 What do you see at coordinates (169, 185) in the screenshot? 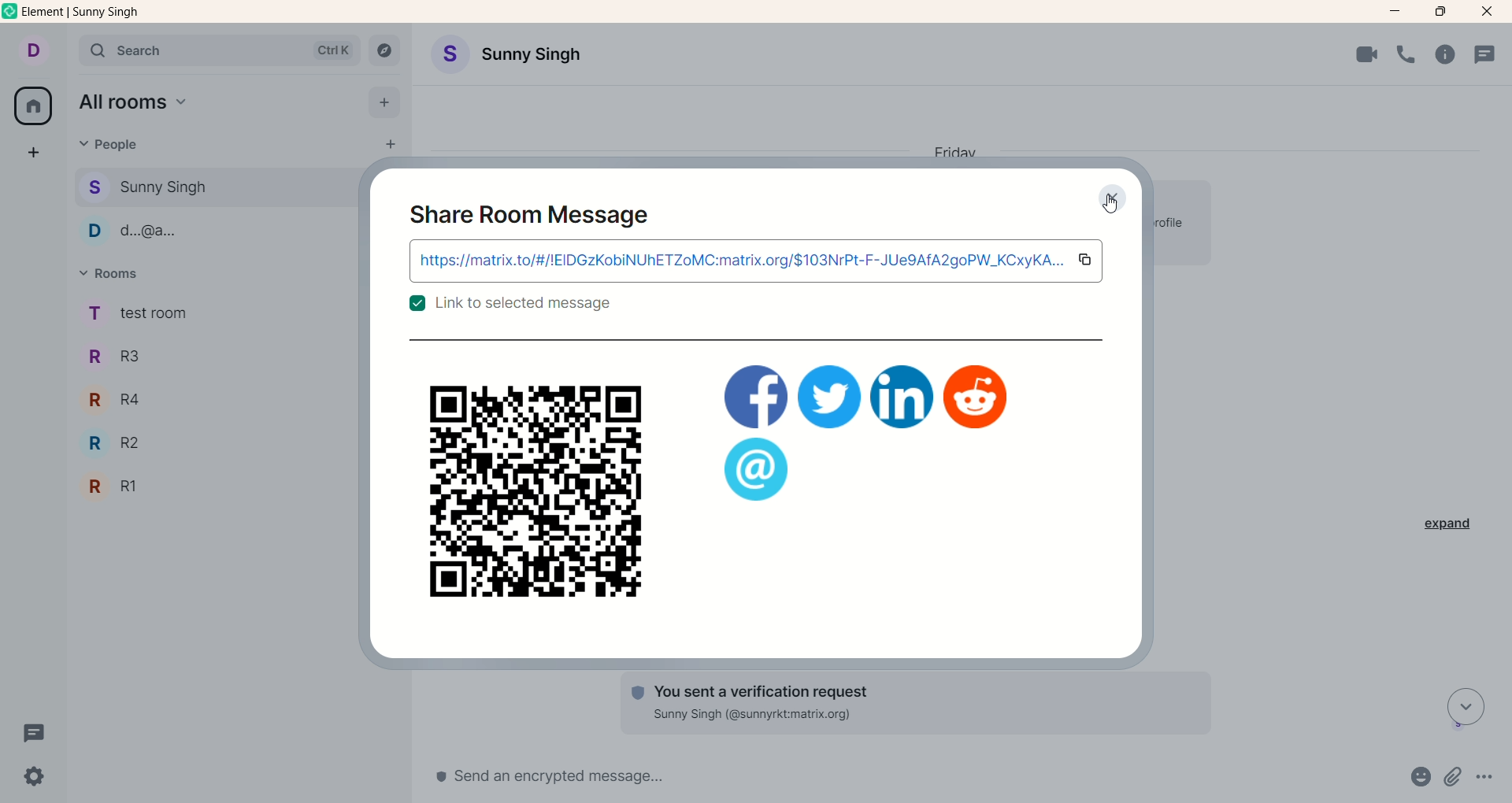
I see `people` at bounding box center [169, 185].